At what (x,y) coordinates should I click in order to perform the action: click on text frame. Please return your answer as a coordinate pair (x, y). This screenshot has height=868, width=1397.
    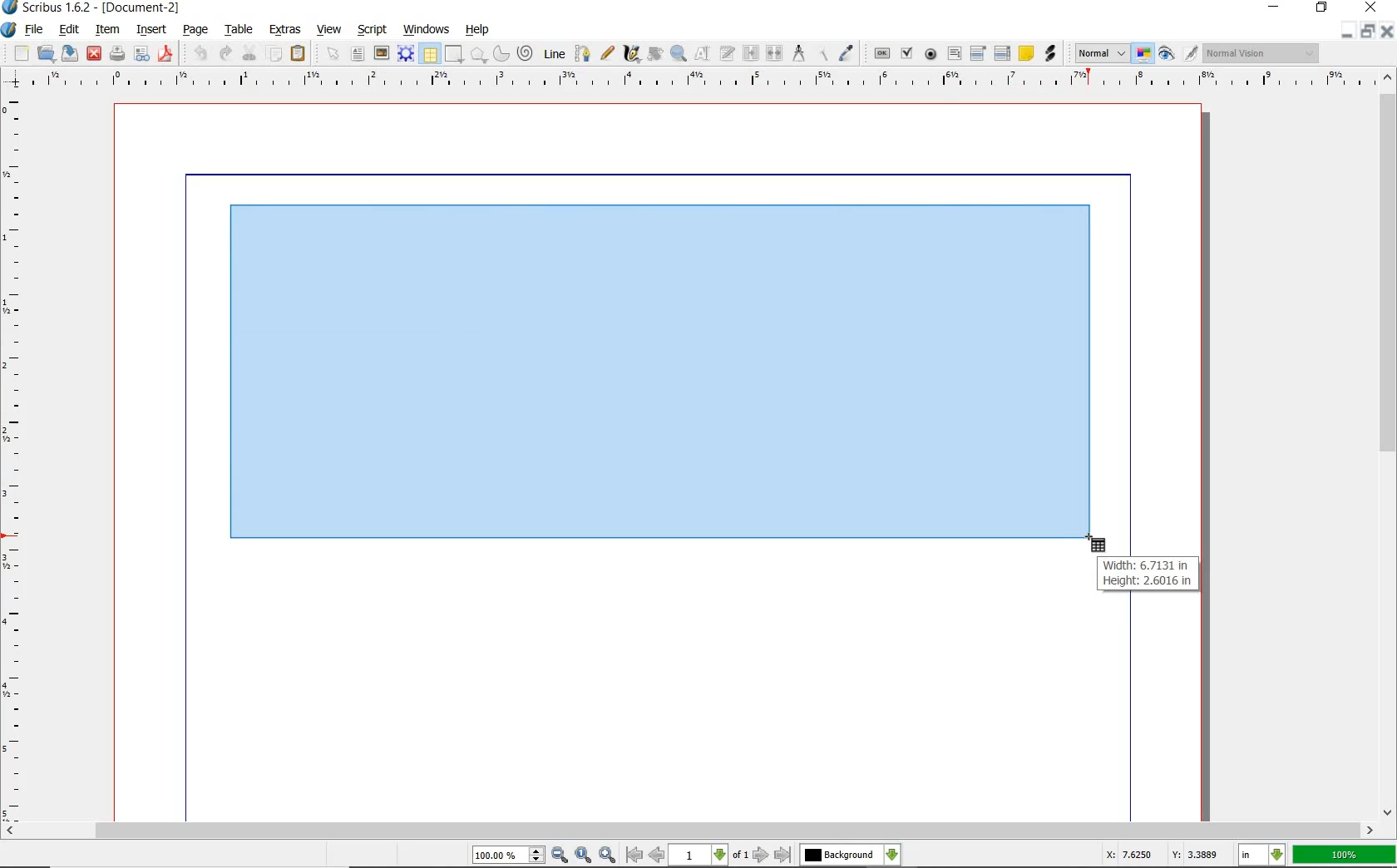
    Looking at the image, I should click on (358, 53).